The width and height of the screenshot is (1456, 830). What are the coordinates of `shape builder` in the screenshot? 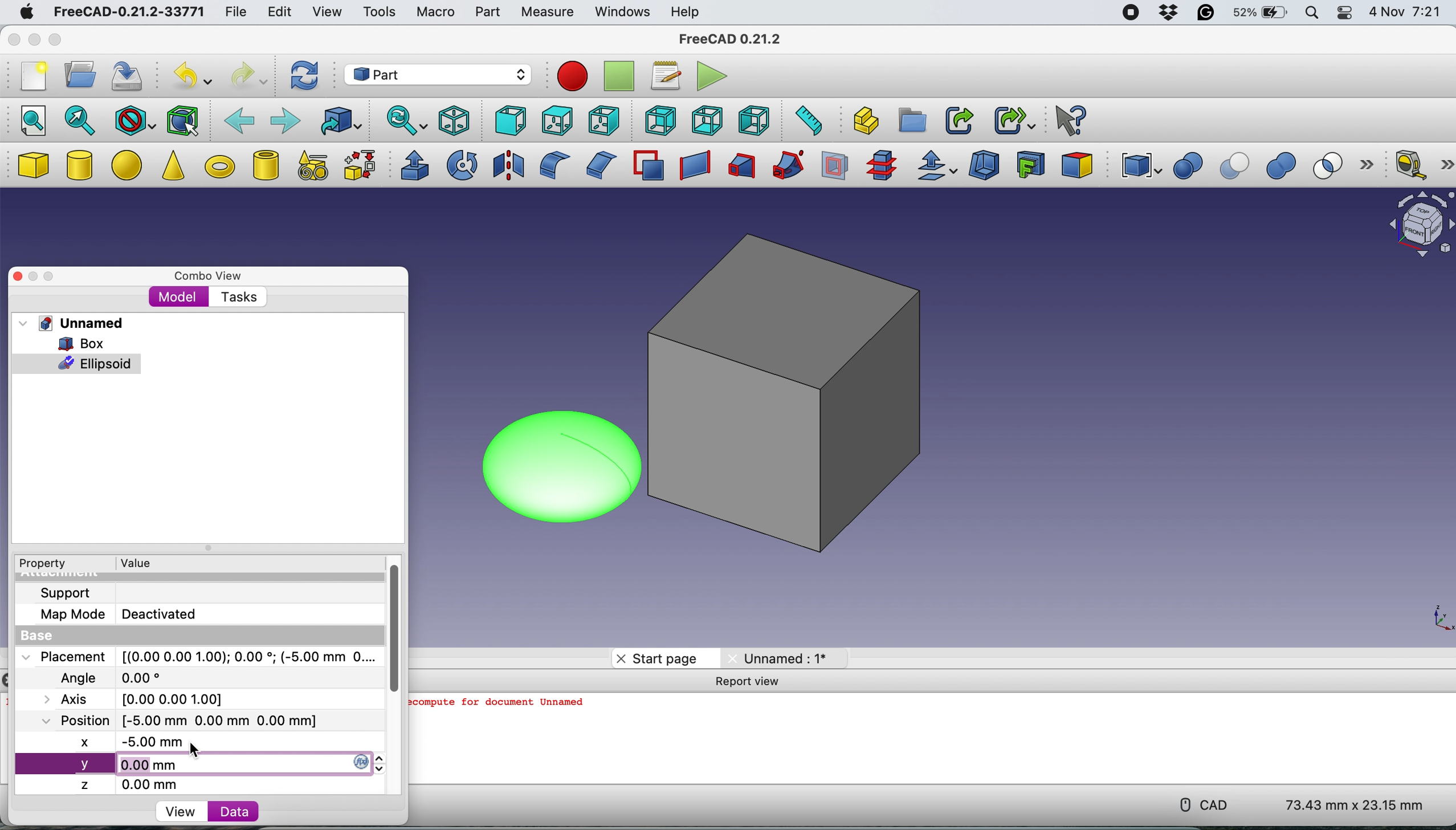 It's located at (360, 165).